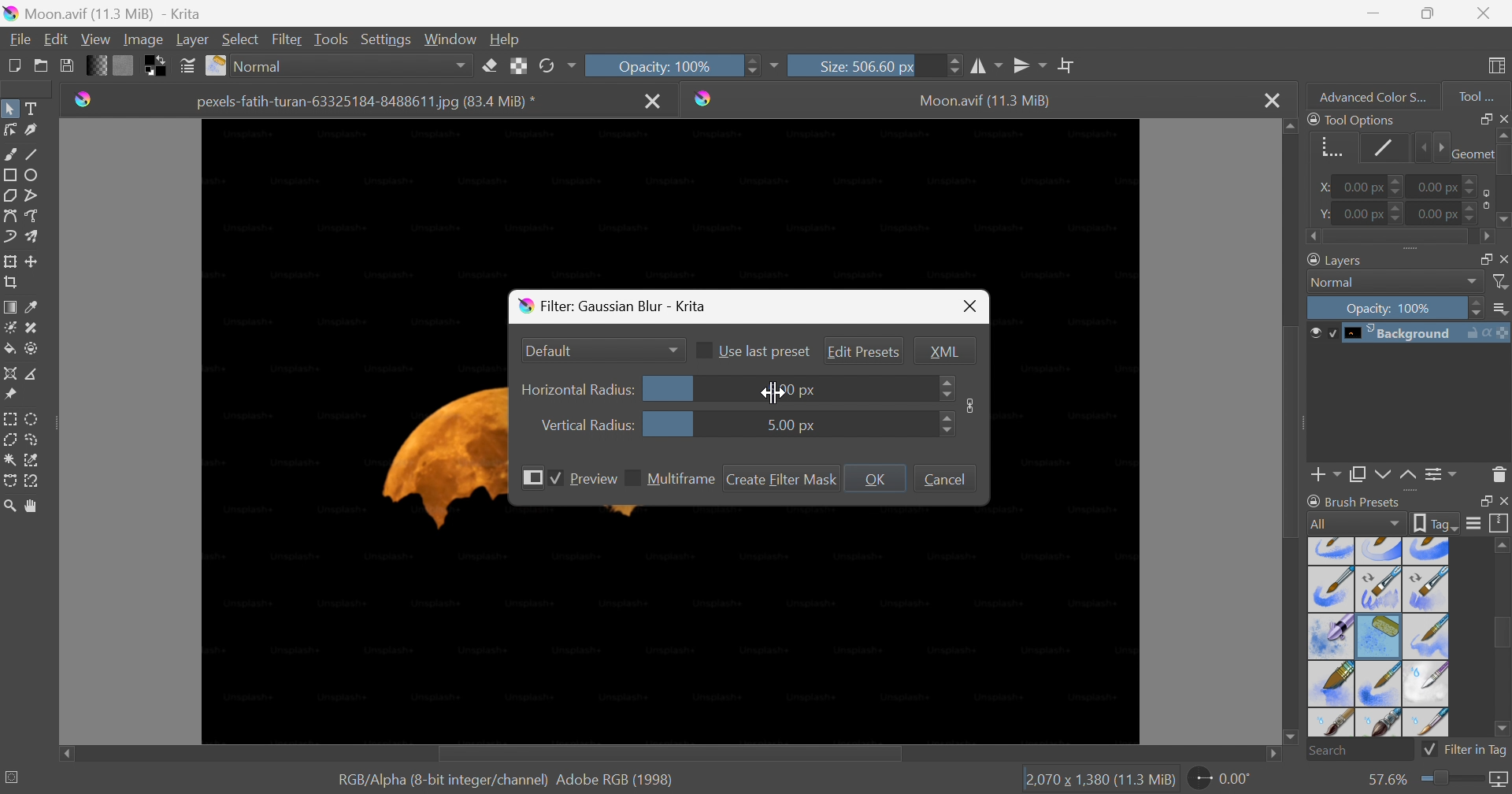  I want to click on Scroll down, so click(1503, 731).